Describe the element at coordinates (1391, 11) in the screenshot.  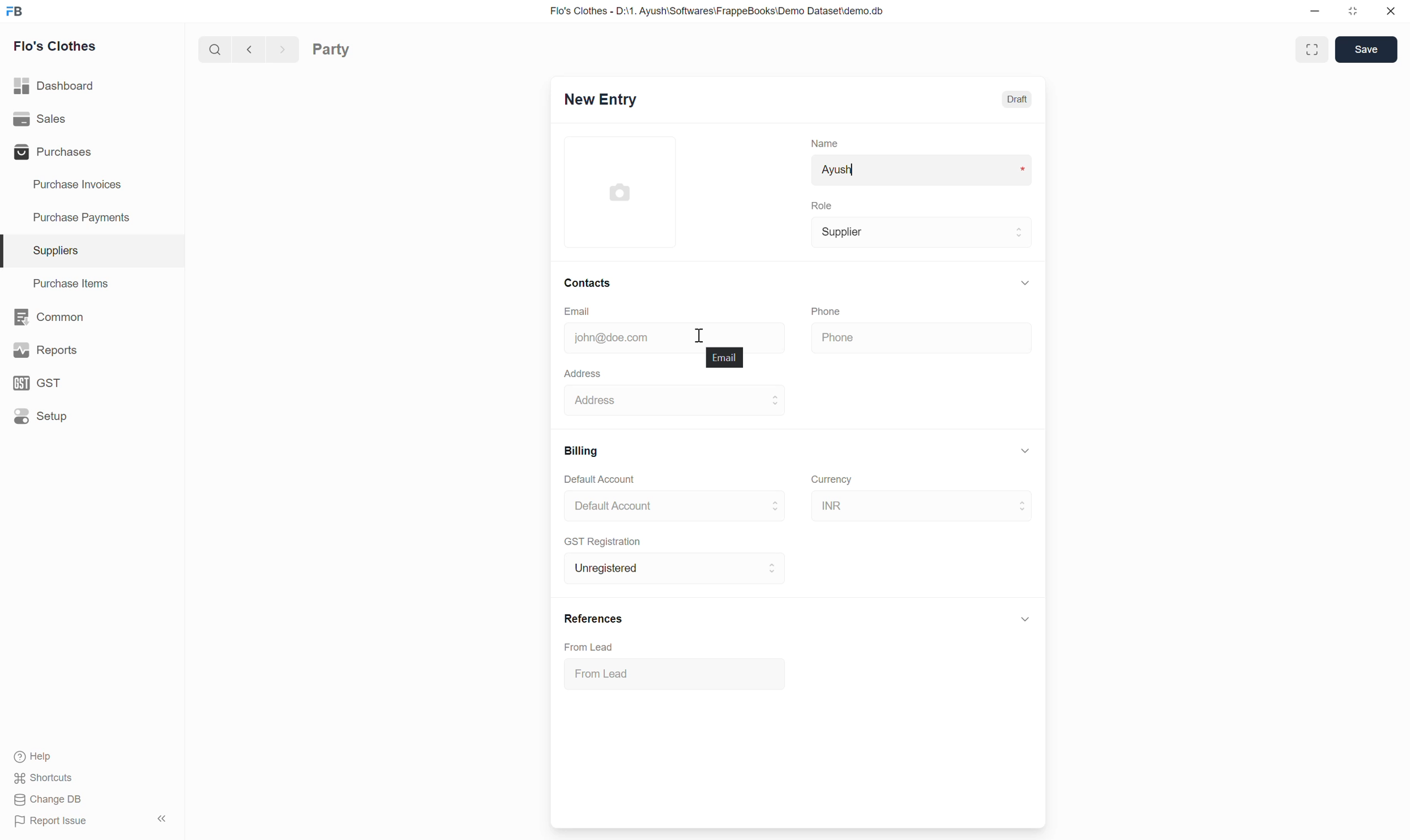
I see `Close` at that location.